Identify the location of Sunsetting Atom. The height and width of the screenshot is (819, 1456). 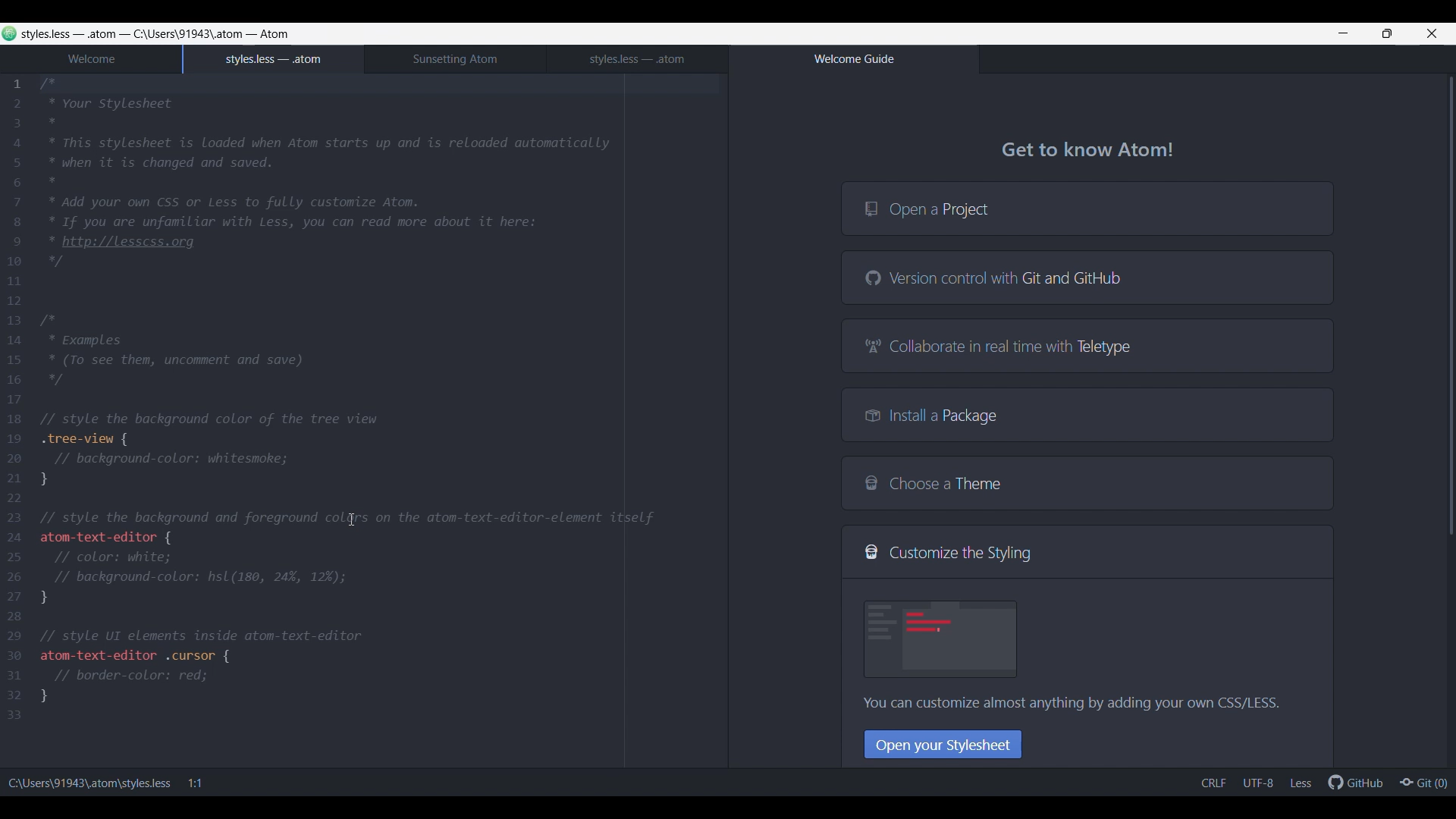
(455, 59).